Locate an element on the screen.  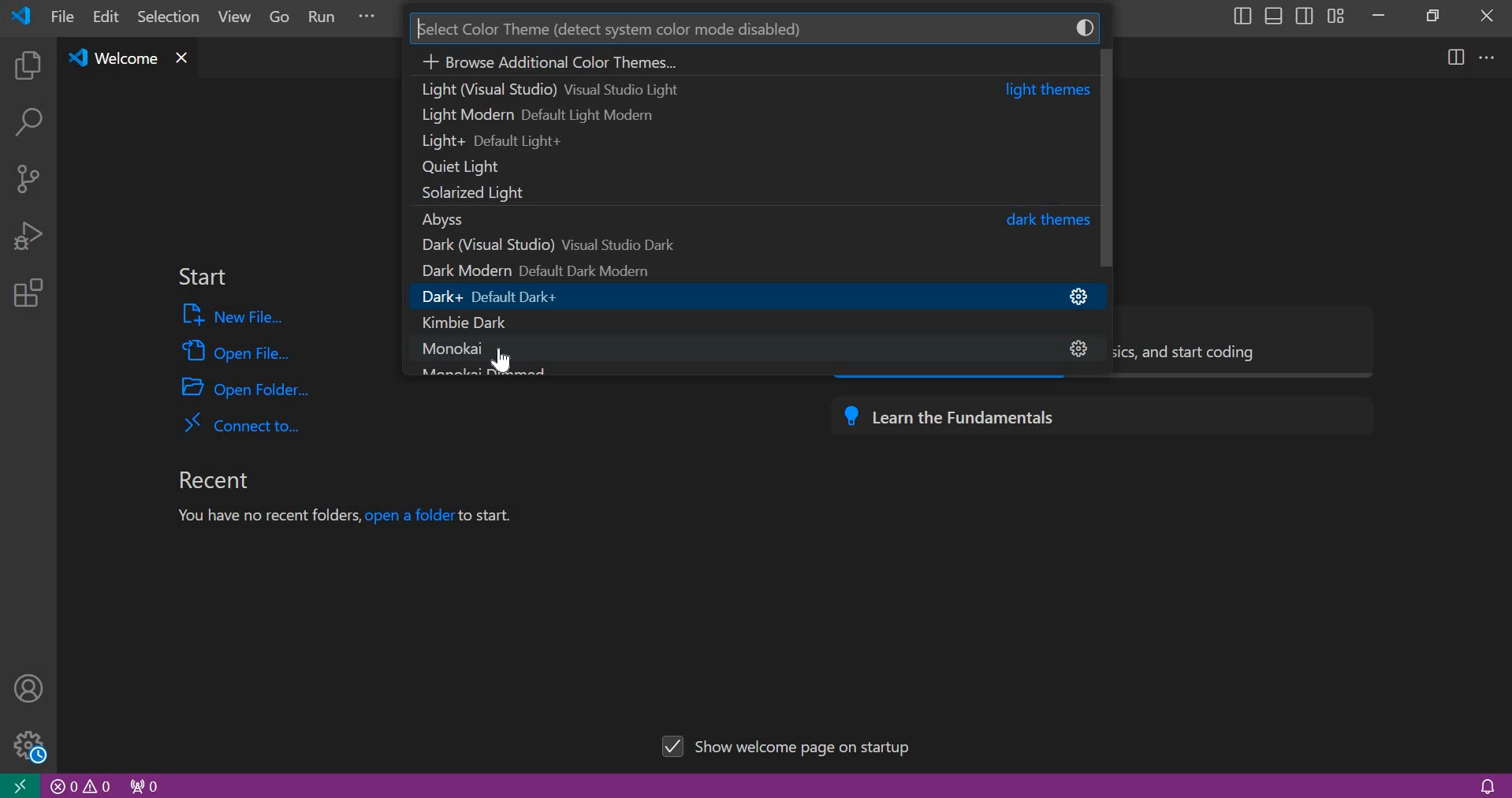
start is located at coordinates (202, 278).